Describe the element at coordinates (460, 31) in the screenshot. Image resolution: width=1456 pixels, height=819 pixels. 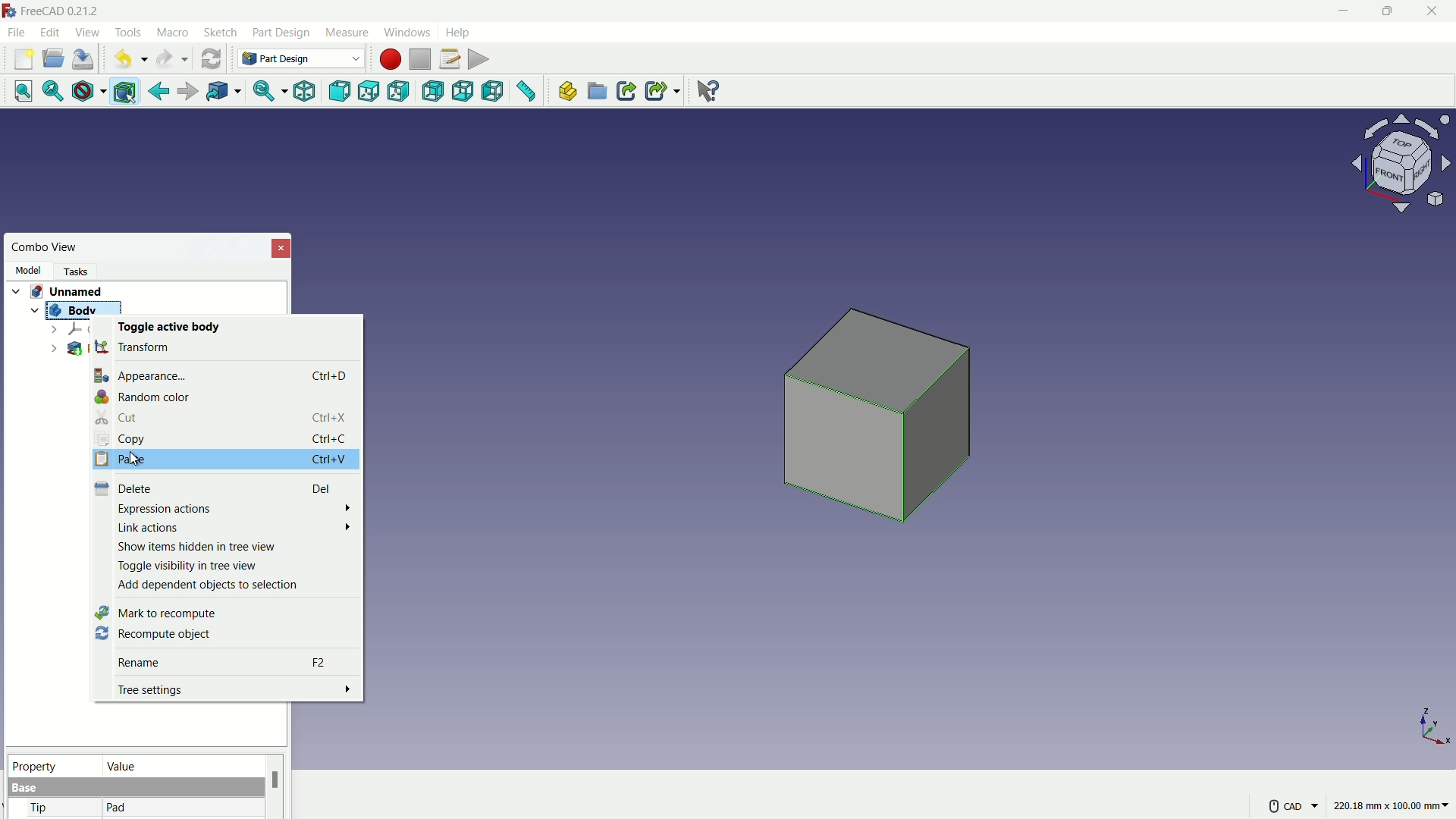
I see `help` at that location.